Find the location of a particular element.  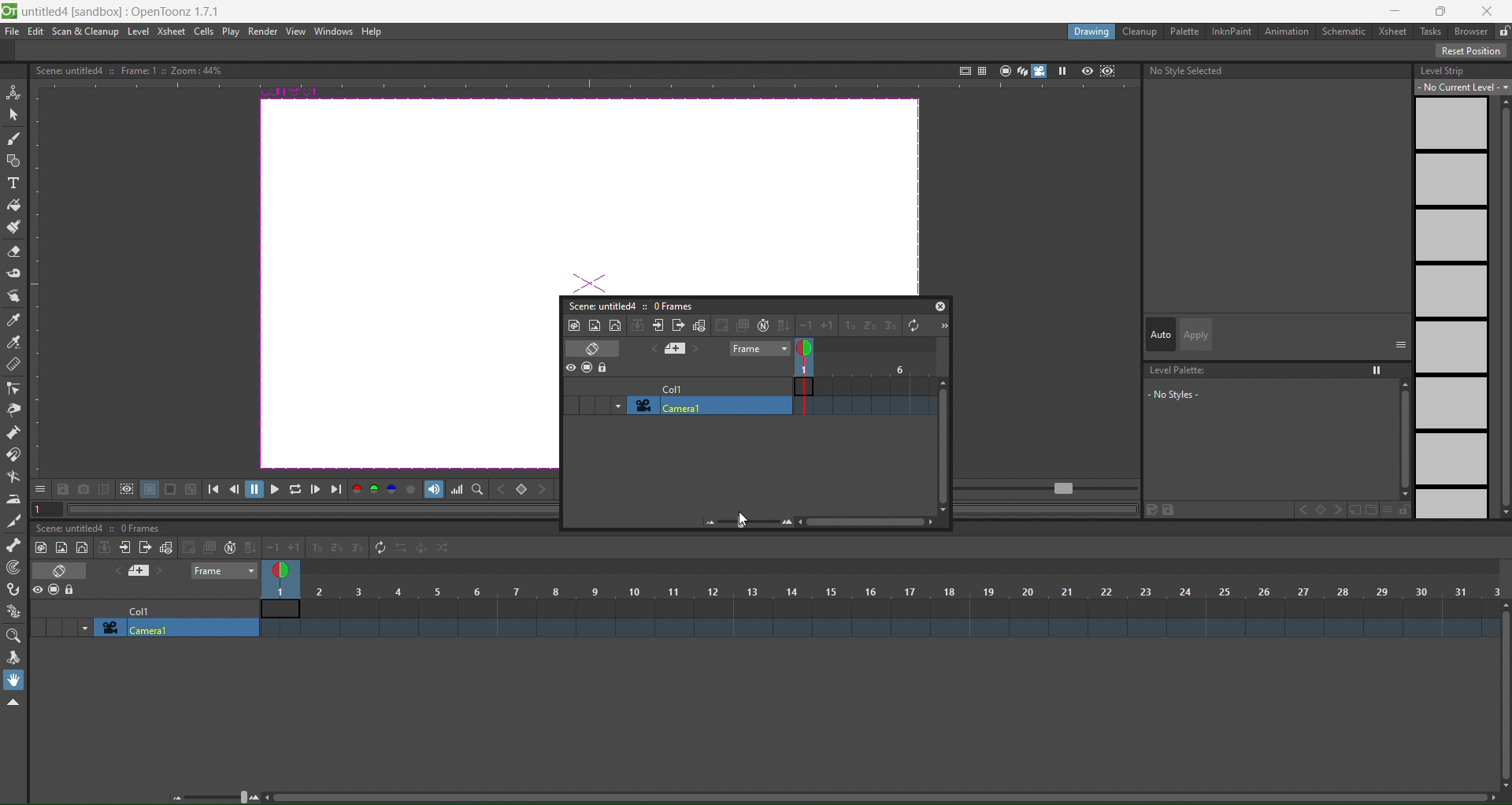

maximize is located at coordinates (1443, 10).